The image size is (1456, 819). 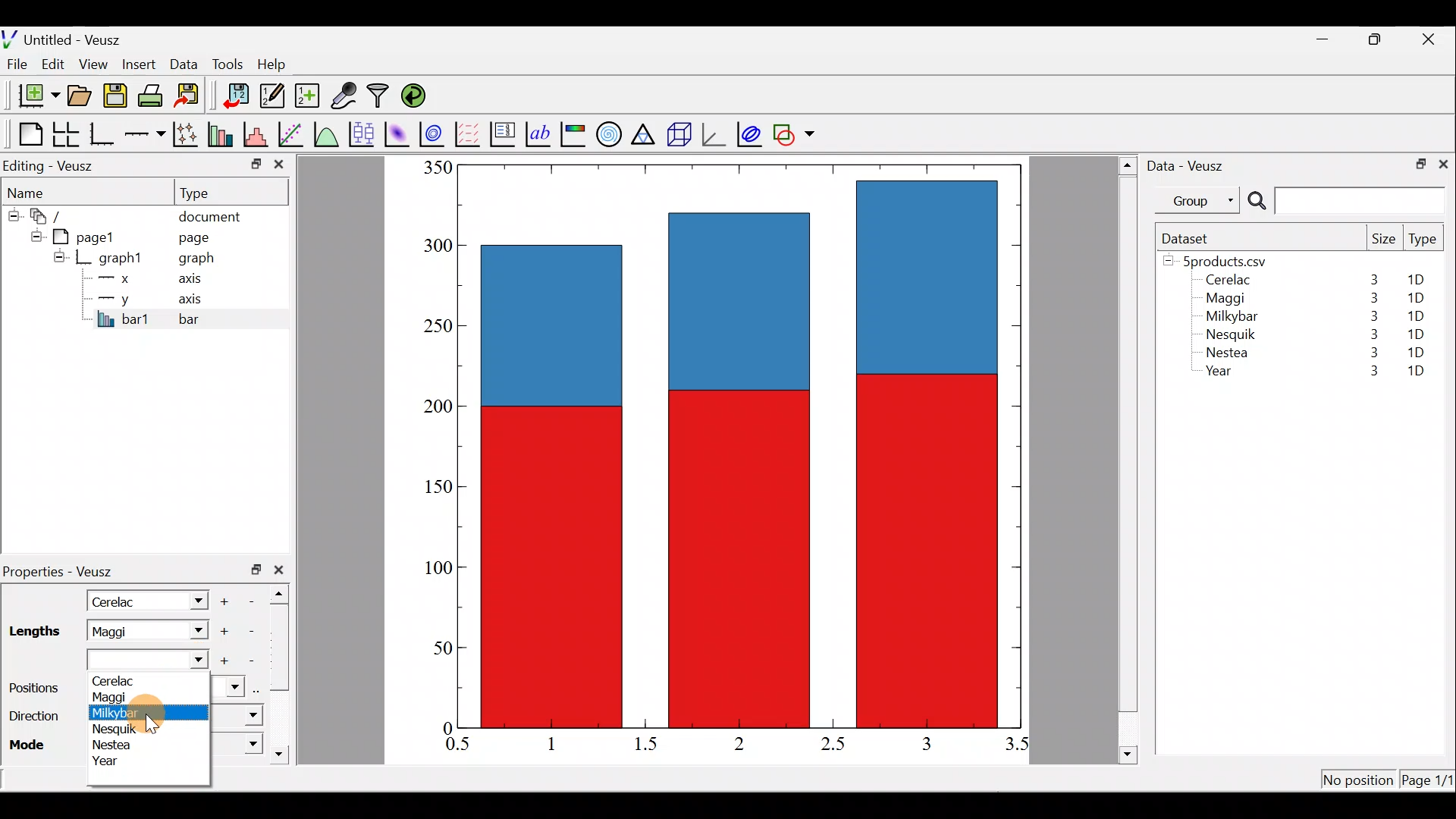 I want to click on 3, so click(x=1373, y=279).